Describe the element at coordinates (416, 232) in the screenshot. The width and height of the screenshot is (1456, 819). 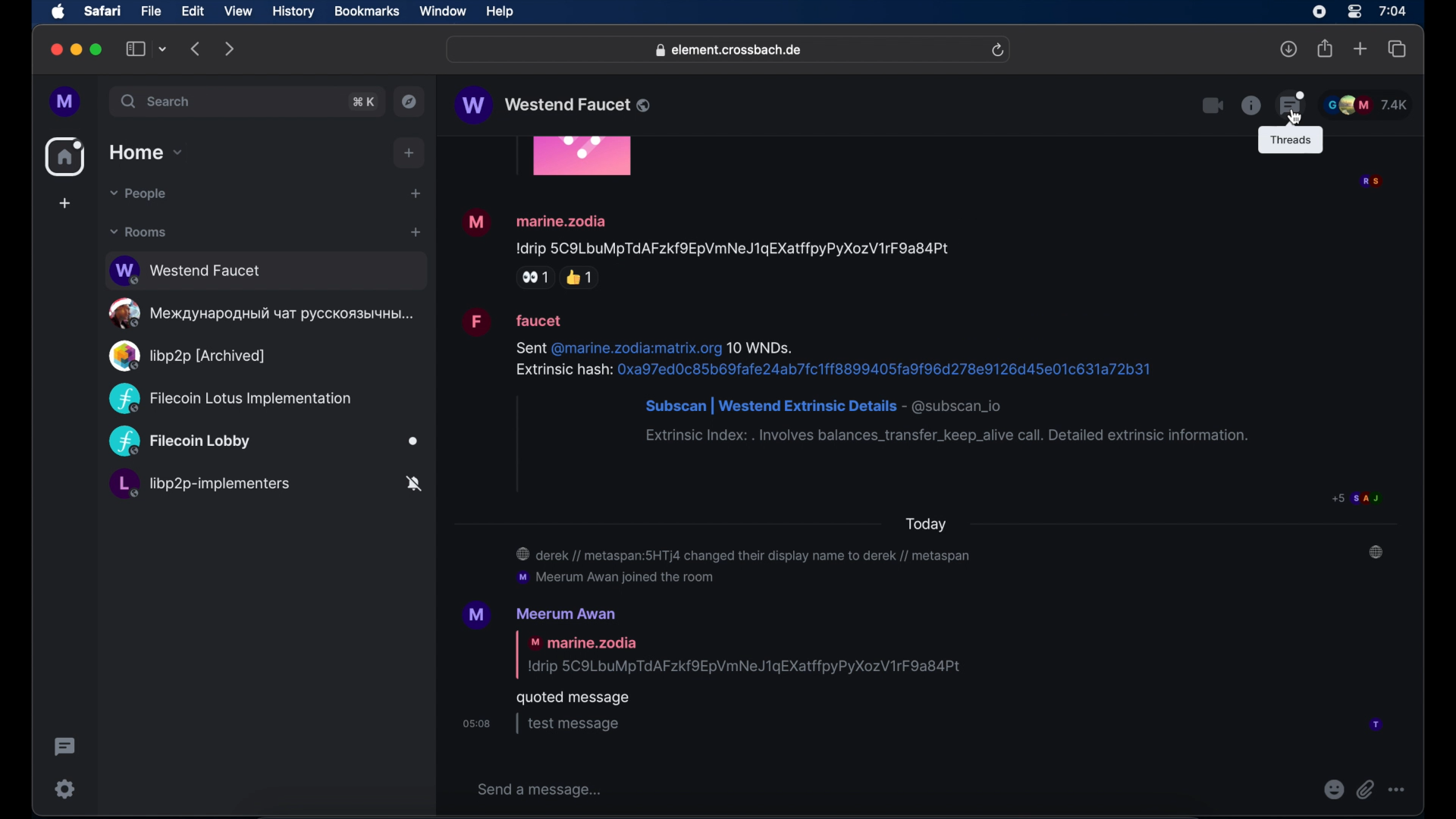
I see `add ` at that location.